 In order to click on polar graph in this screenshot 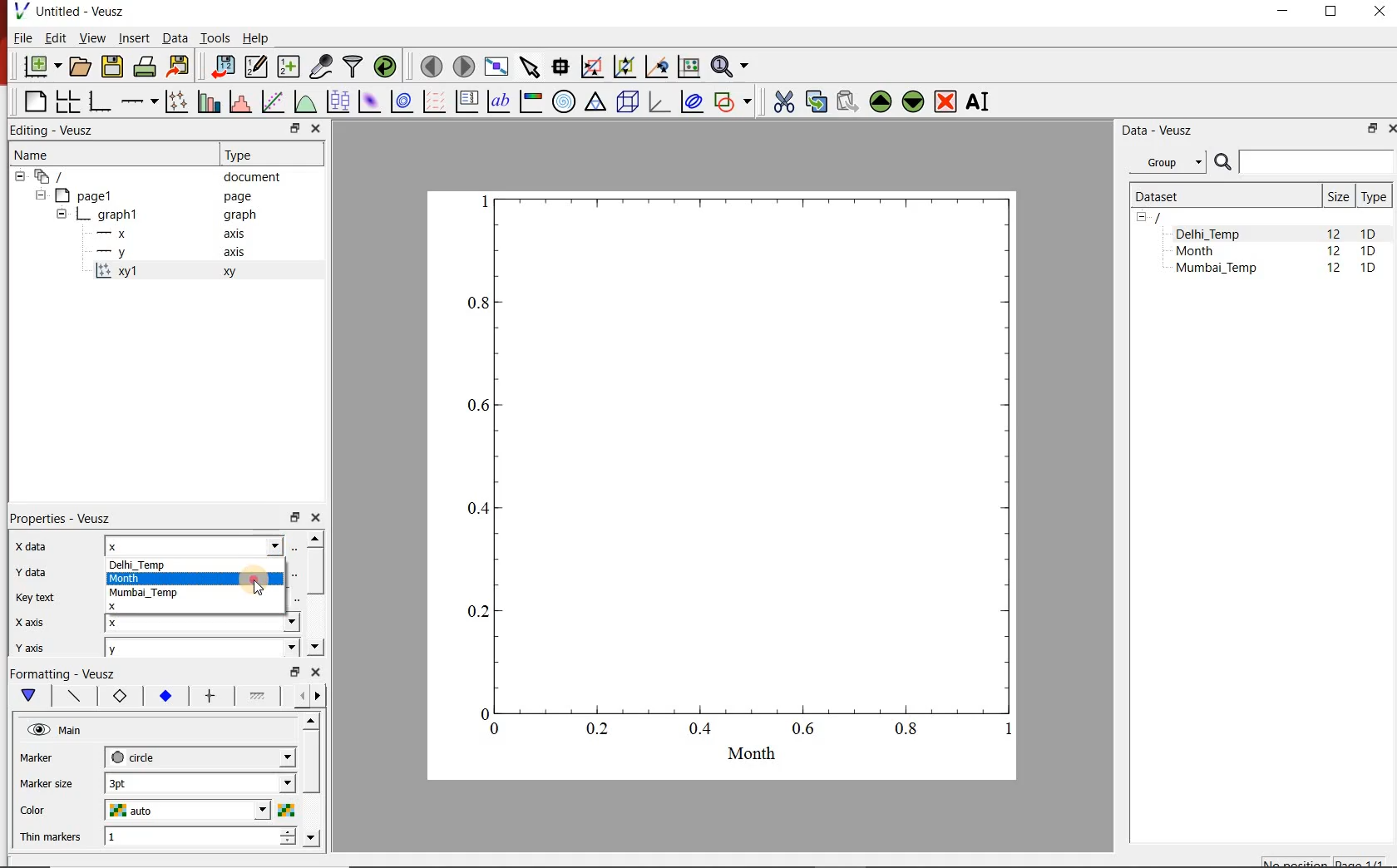, I will do `click(565, 103)`.